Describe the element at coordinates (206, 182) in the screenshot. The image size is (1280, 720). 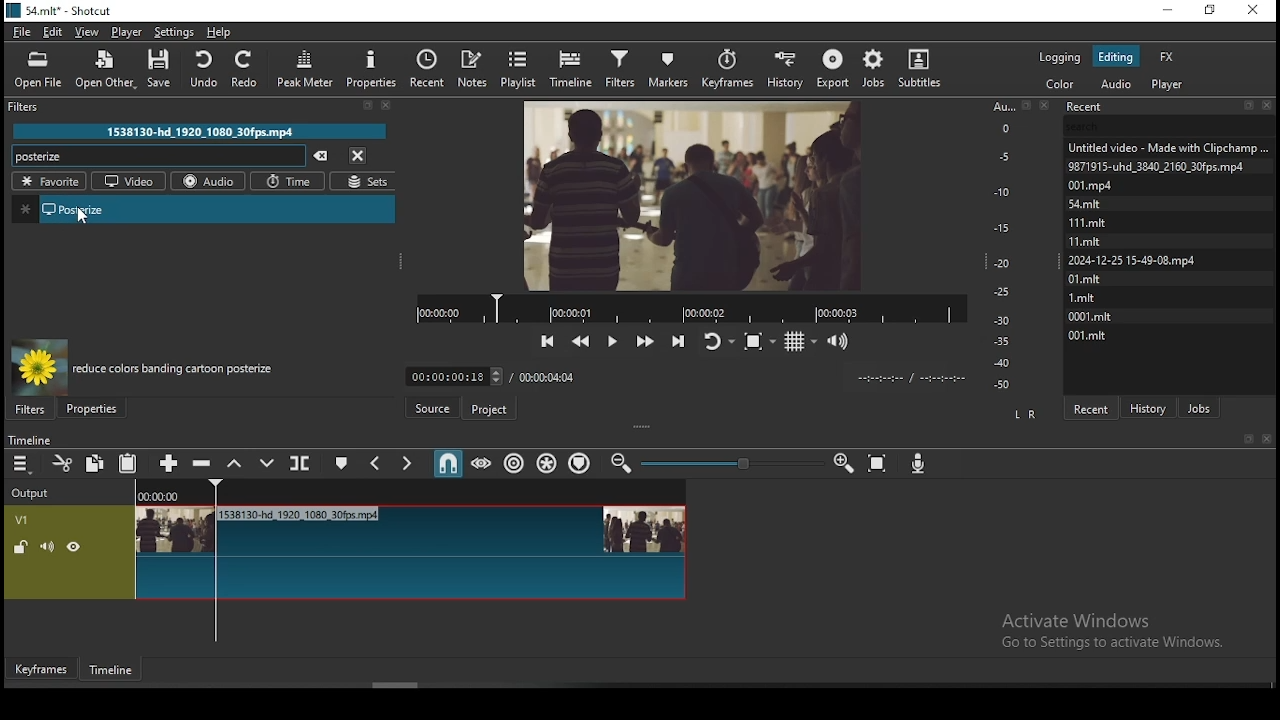
I see `audio` at that location.